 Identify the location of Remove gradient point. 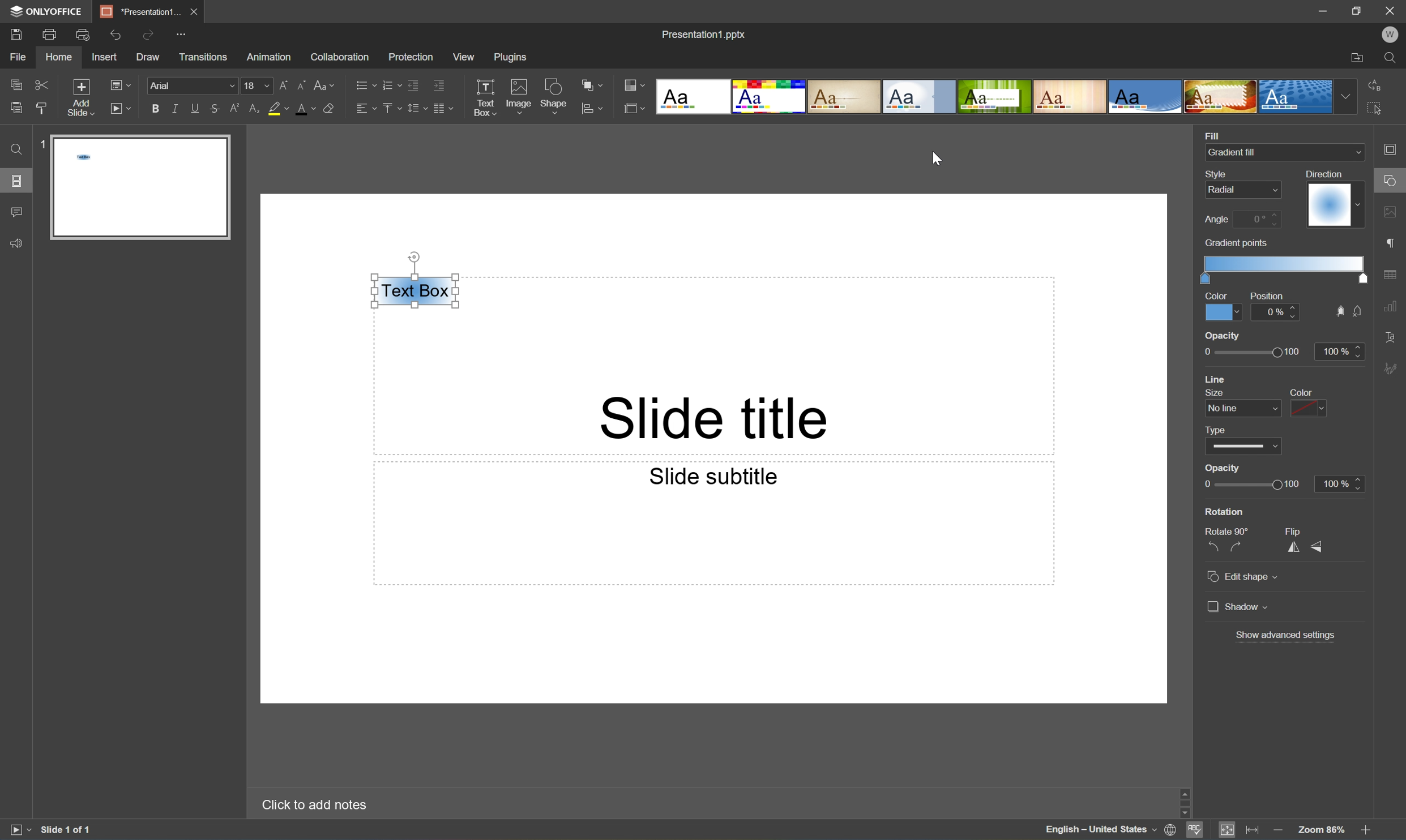
(1360, 311).